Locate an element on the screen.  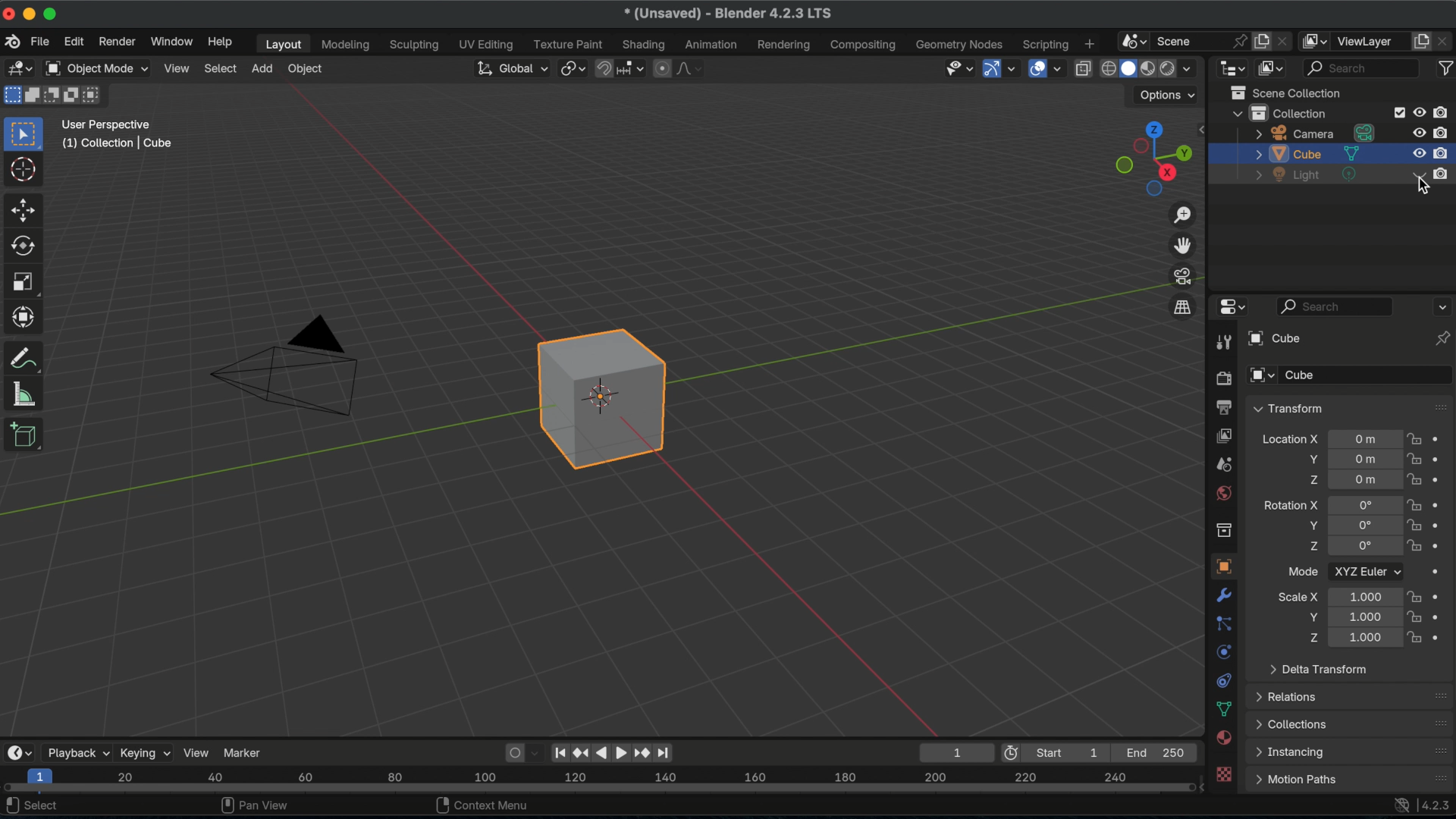
browse object to be linked is located at coordinates (1276, 338).